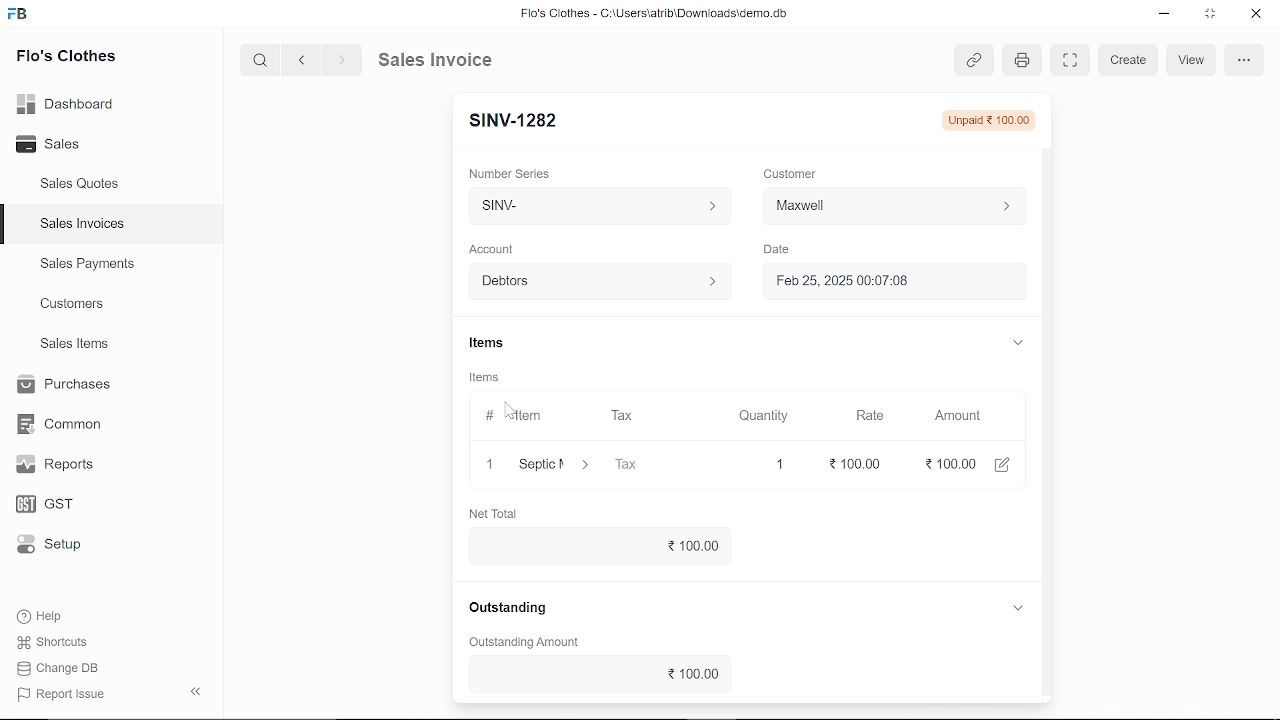 The height and width of the screenshot is (720, 1280). What do you see at coordinates (489, 465) in the screenshot?
I see `1` at bounding box center [489, 465].